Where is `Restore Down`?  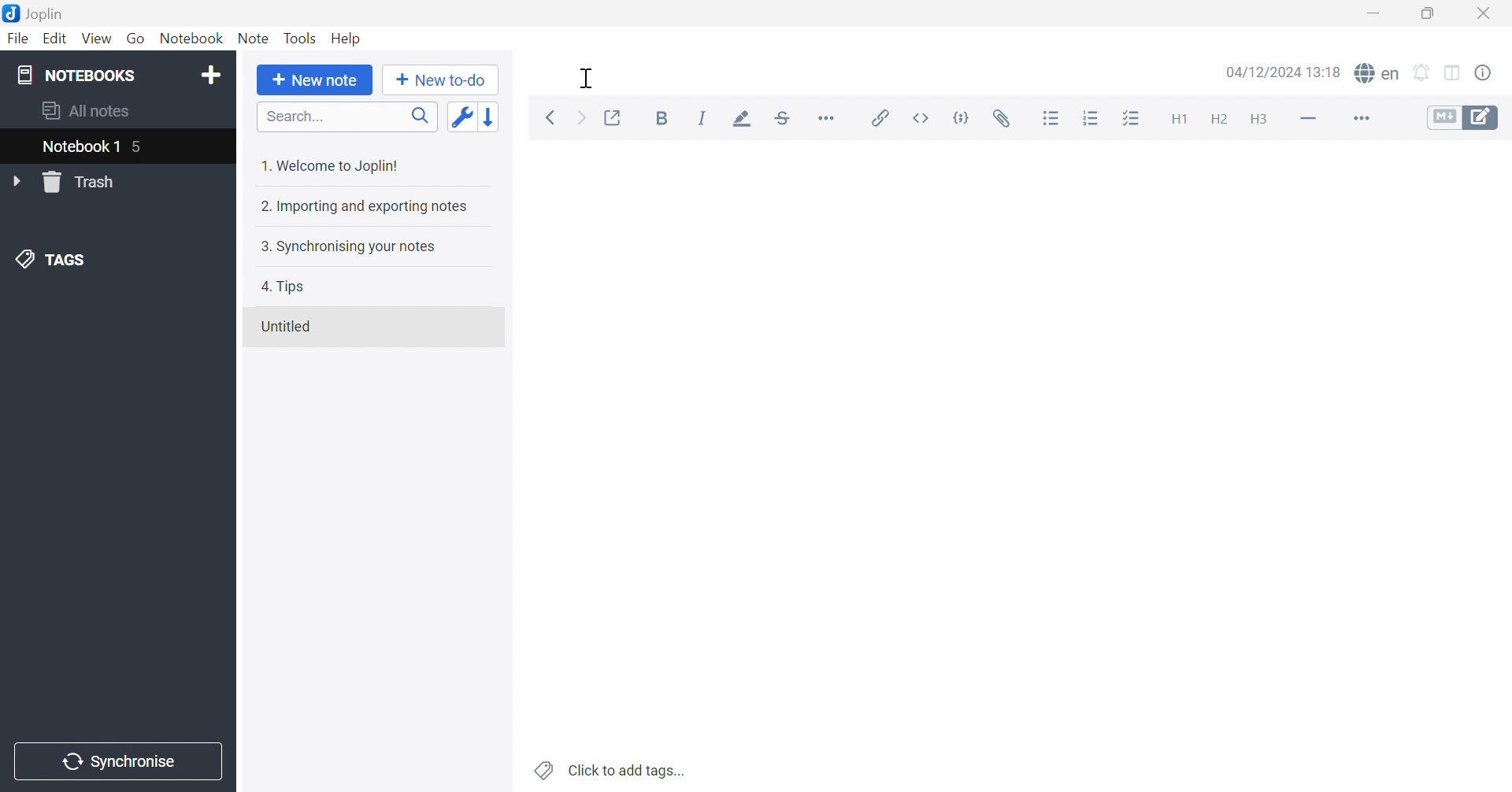 Restore Down is located at coordinates (1429, 17).